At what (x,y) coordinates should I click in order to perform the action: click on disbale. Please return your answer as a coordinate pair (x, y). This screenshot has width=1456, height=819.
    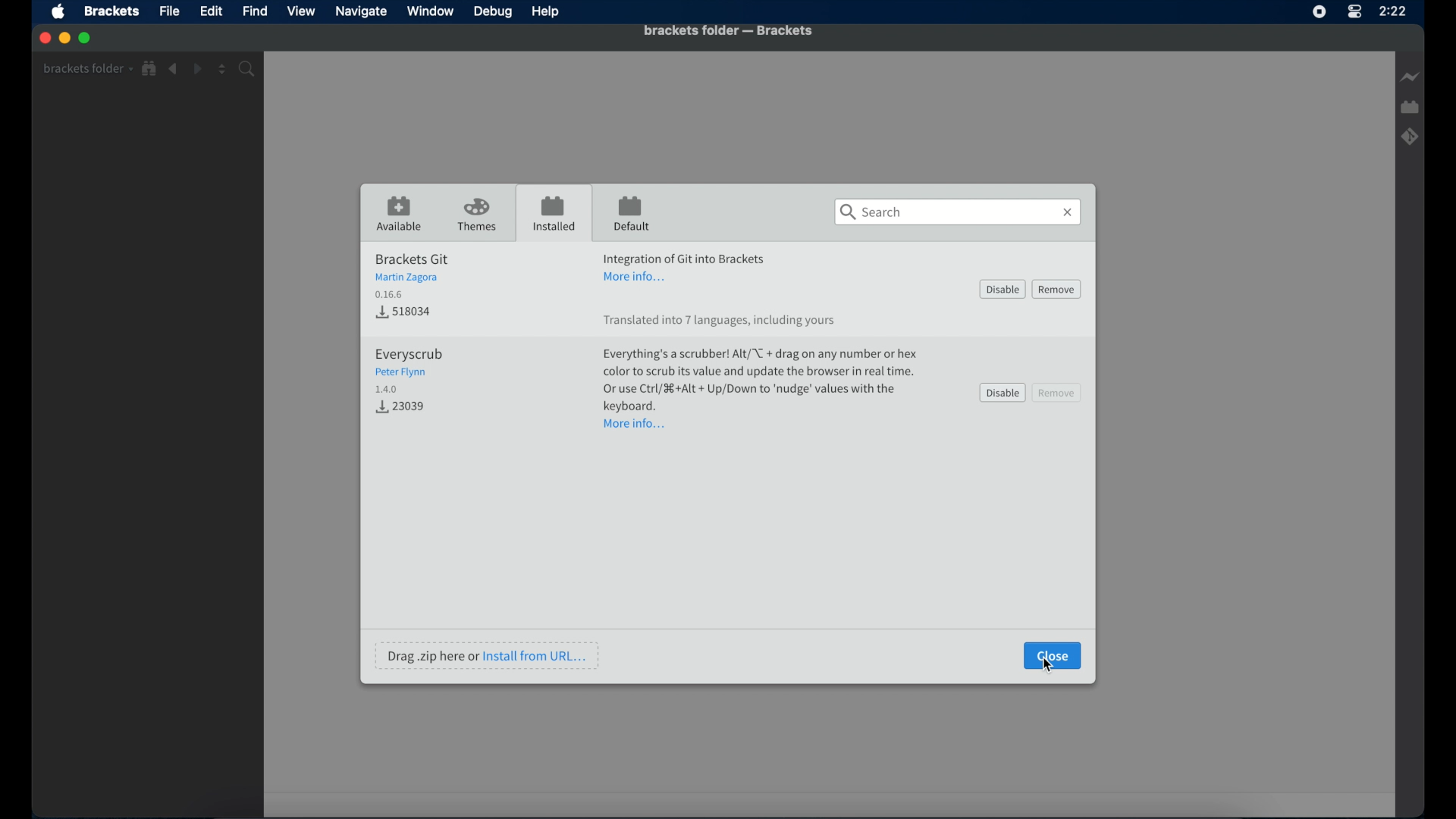
    Looking at the image, I should click on (1003, 393).